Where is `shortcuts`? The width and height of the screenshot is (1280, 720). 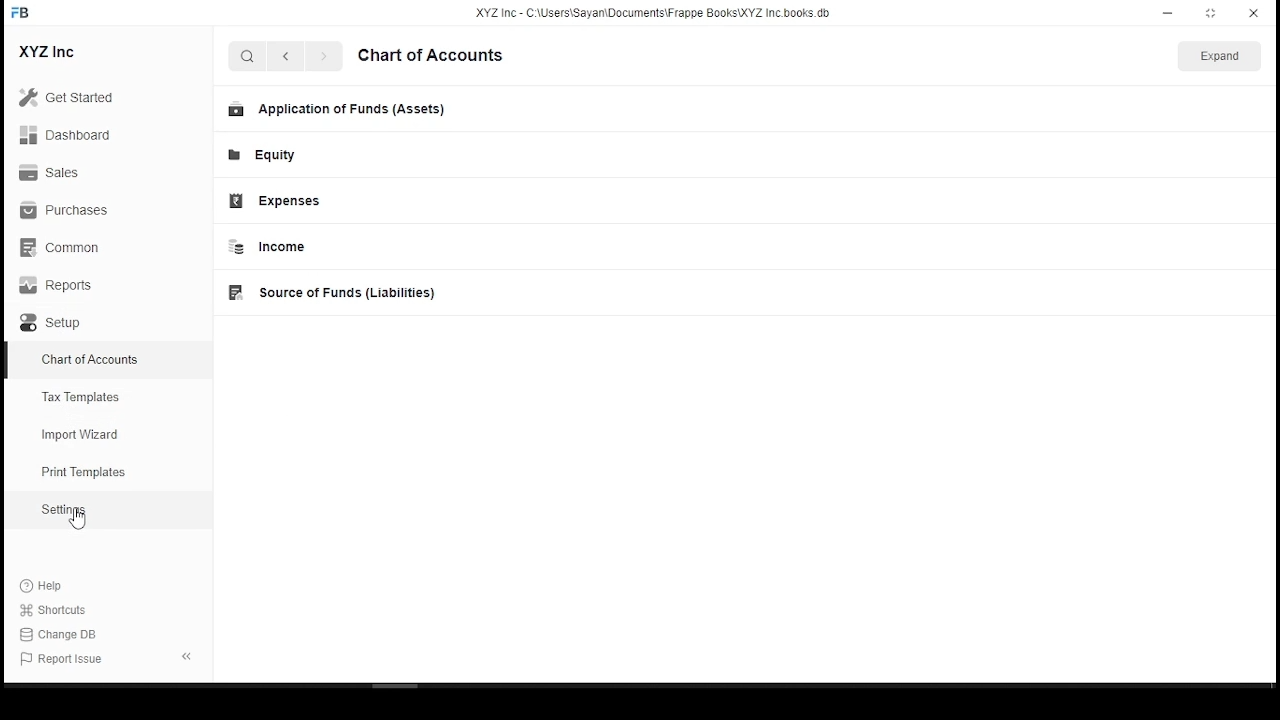
shortcuts is located at coordinates (58, 611).